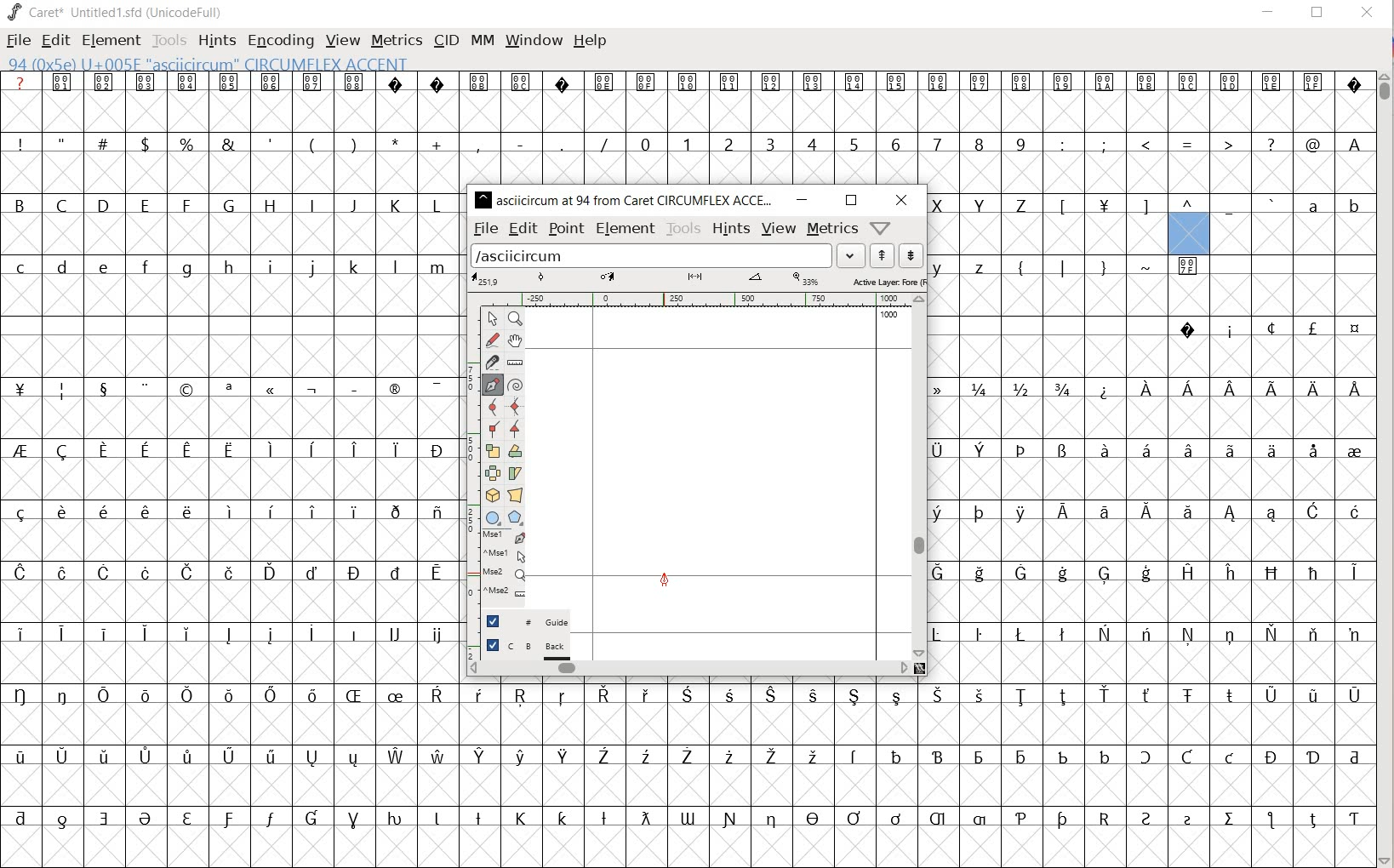 The height and width of the screenshot is (868, 1394). Describe the element at coordinates (1365, 14) in the screenshot. I see `CLOSE` at that location.